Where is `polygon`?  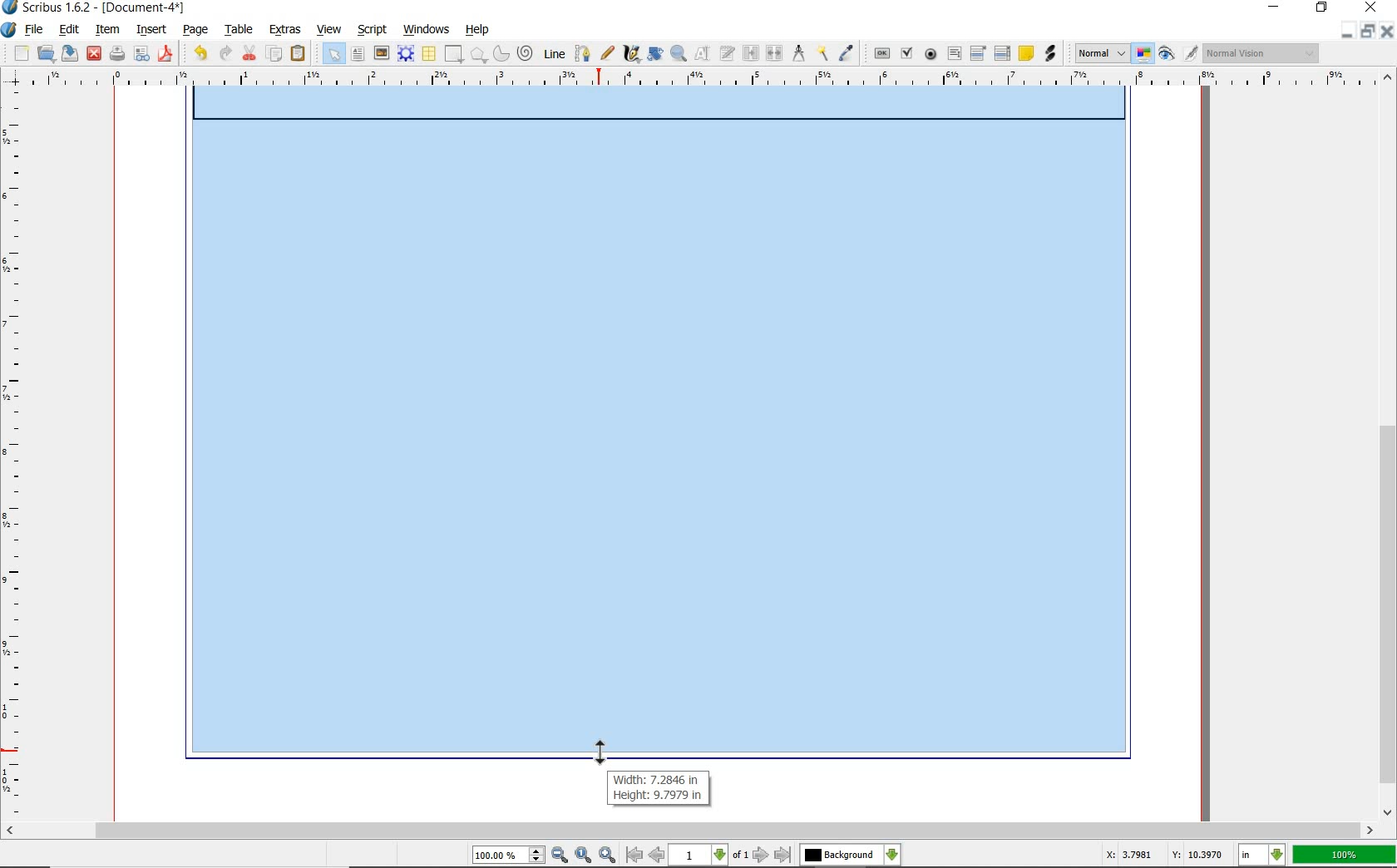 polygon is located at coordinates (479, 56).